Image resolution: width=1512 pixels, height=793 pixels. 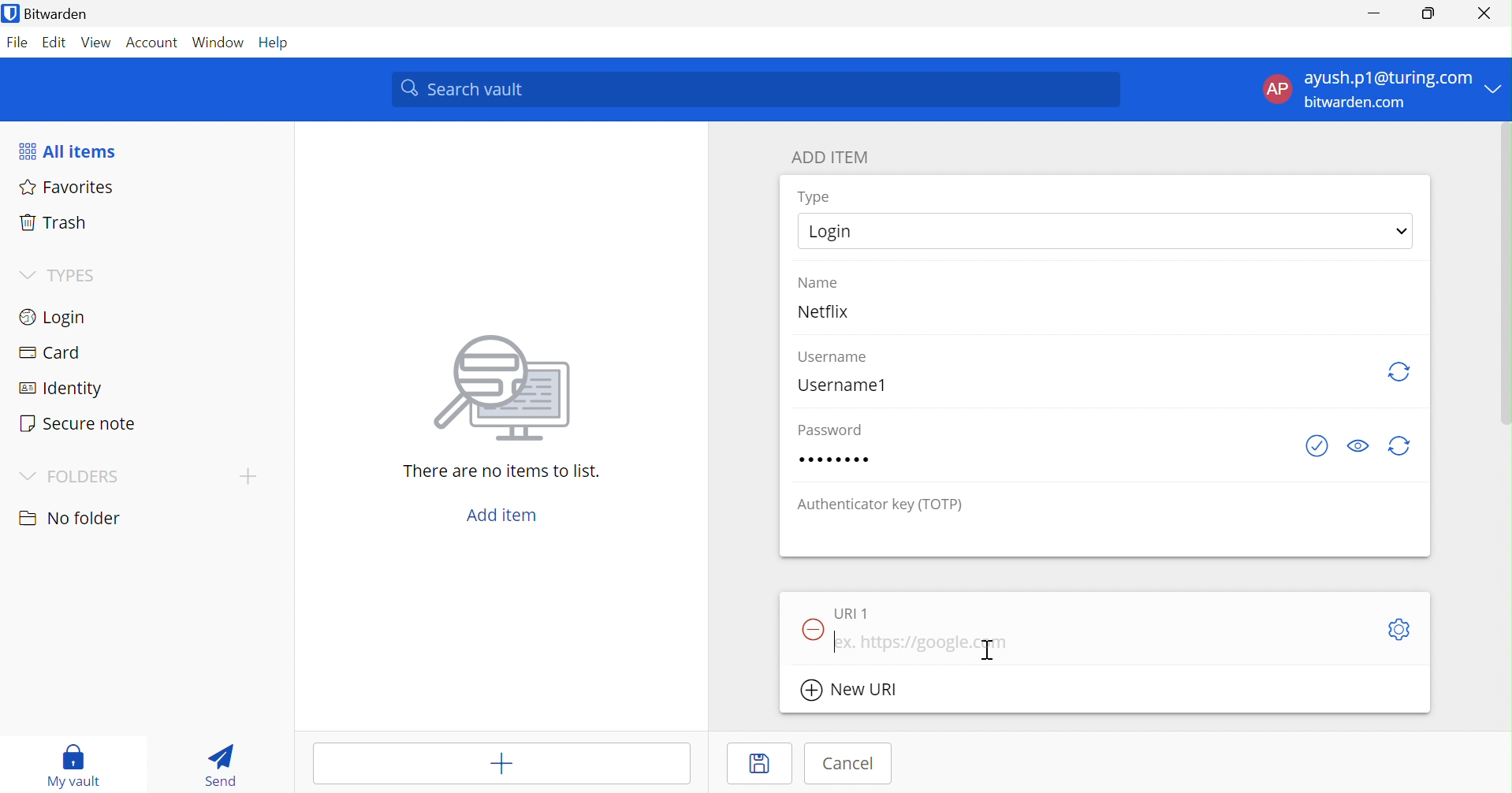 What do you see at coordinates (822, 311) in the screenshot?
I see `Netflix` at bounding box center [822, 311].